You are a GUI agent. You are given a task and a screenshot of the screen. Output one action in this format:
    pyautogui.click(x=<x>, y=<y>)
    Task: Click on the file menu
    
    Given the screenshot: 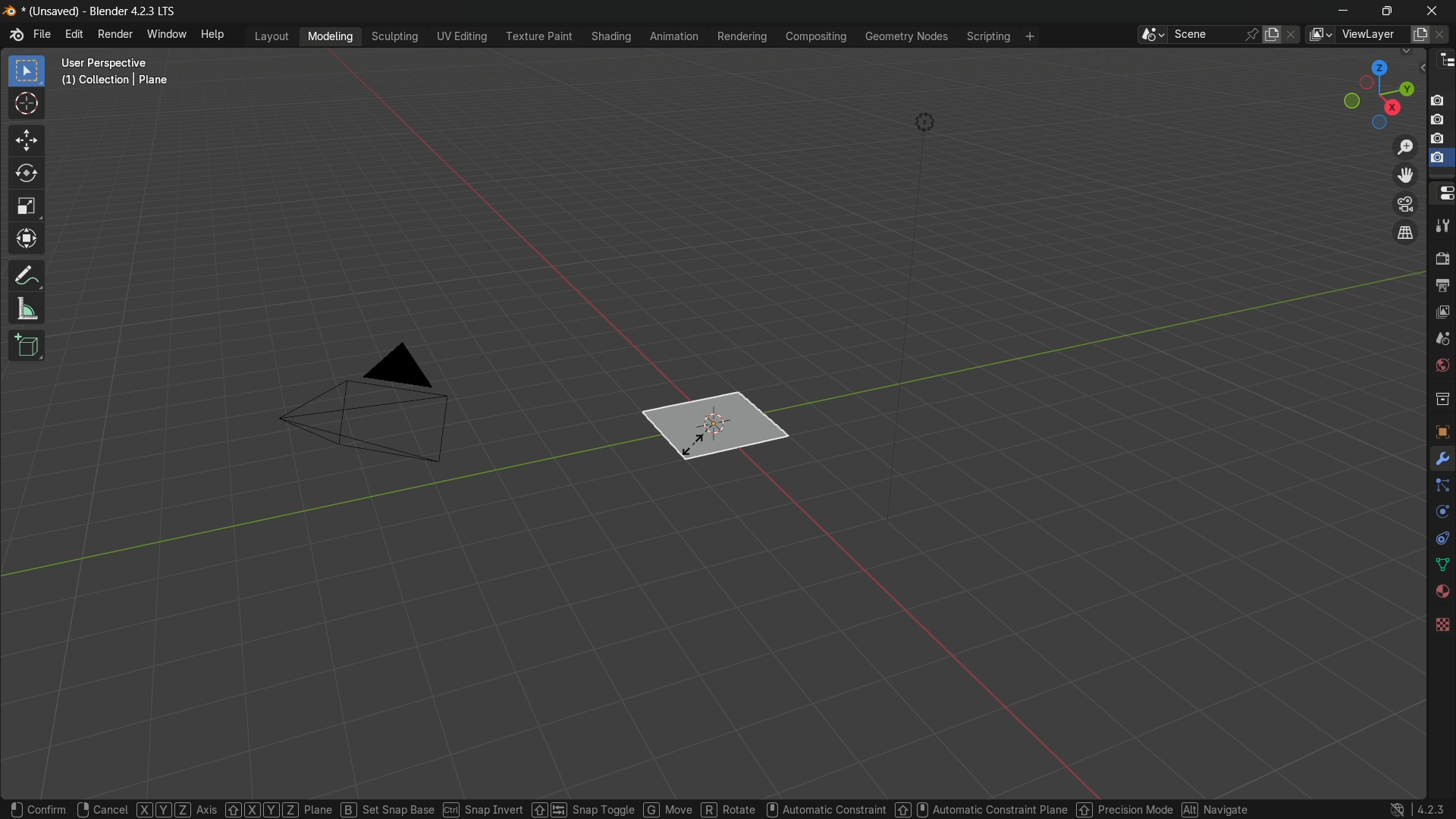 What is the action you would take?
    pyautogui.click(x=42, y=35)
    